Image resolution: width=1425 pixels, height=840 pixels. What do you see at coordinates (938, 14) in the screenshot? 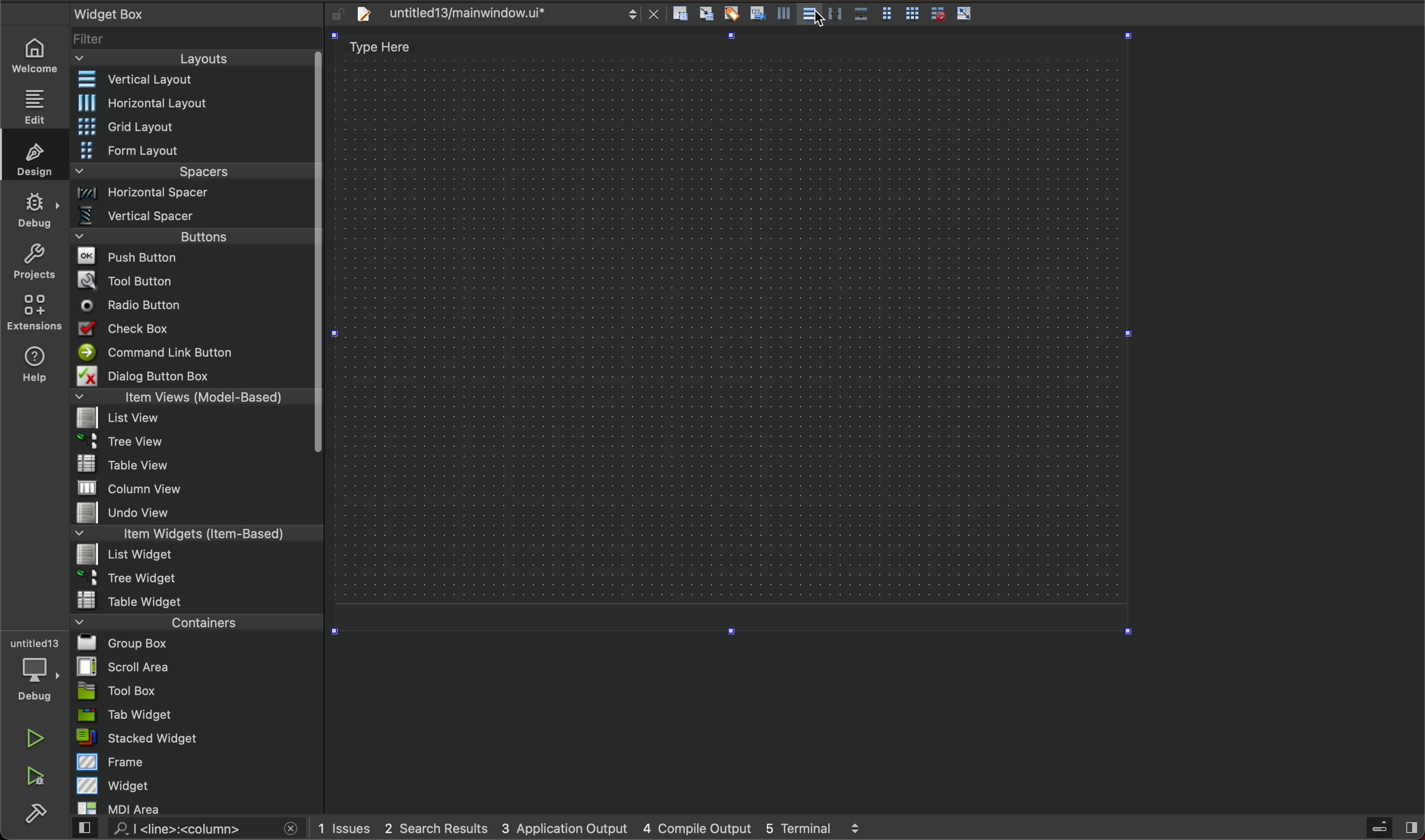
I see `` at bounding box center [938, 14].